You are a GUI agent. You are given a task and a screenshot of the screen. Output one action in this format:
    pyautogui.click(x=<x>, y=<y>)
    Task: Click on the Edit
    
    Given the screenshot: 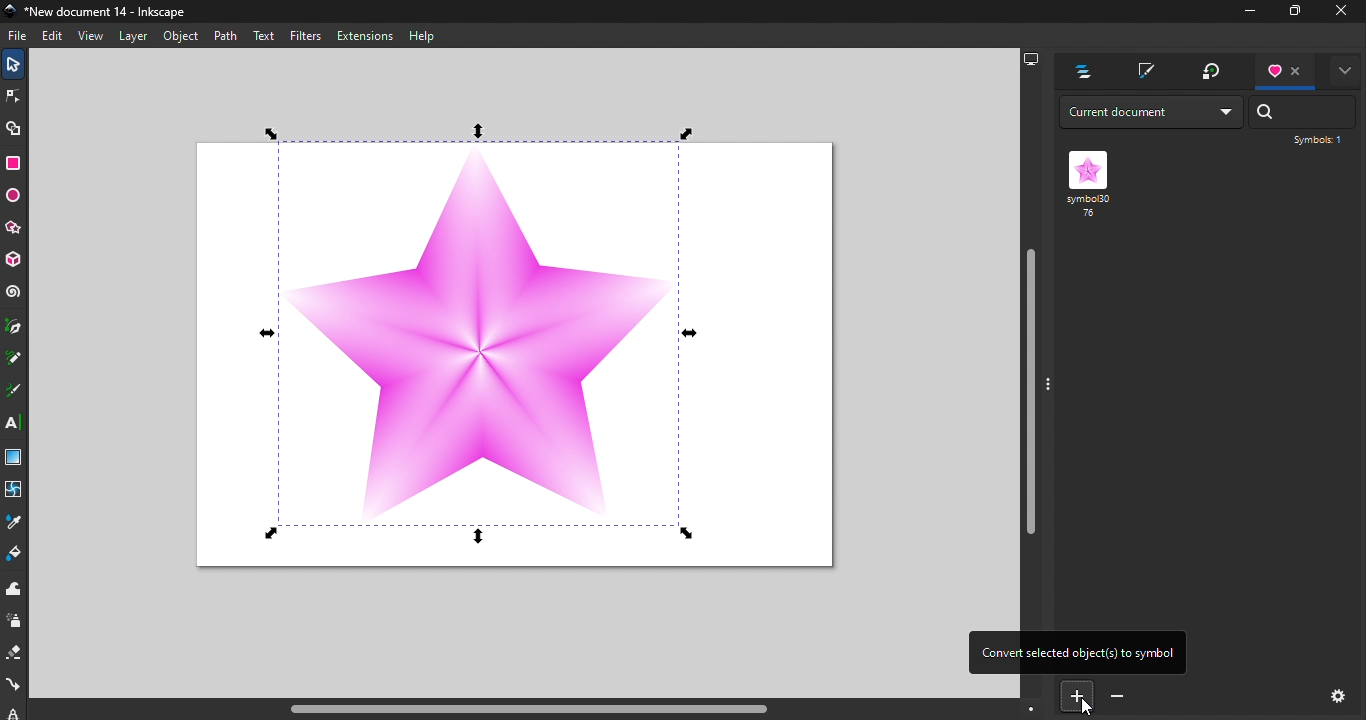 What is the action you would take?
    pyautogui.click(x=53, y=37)
    